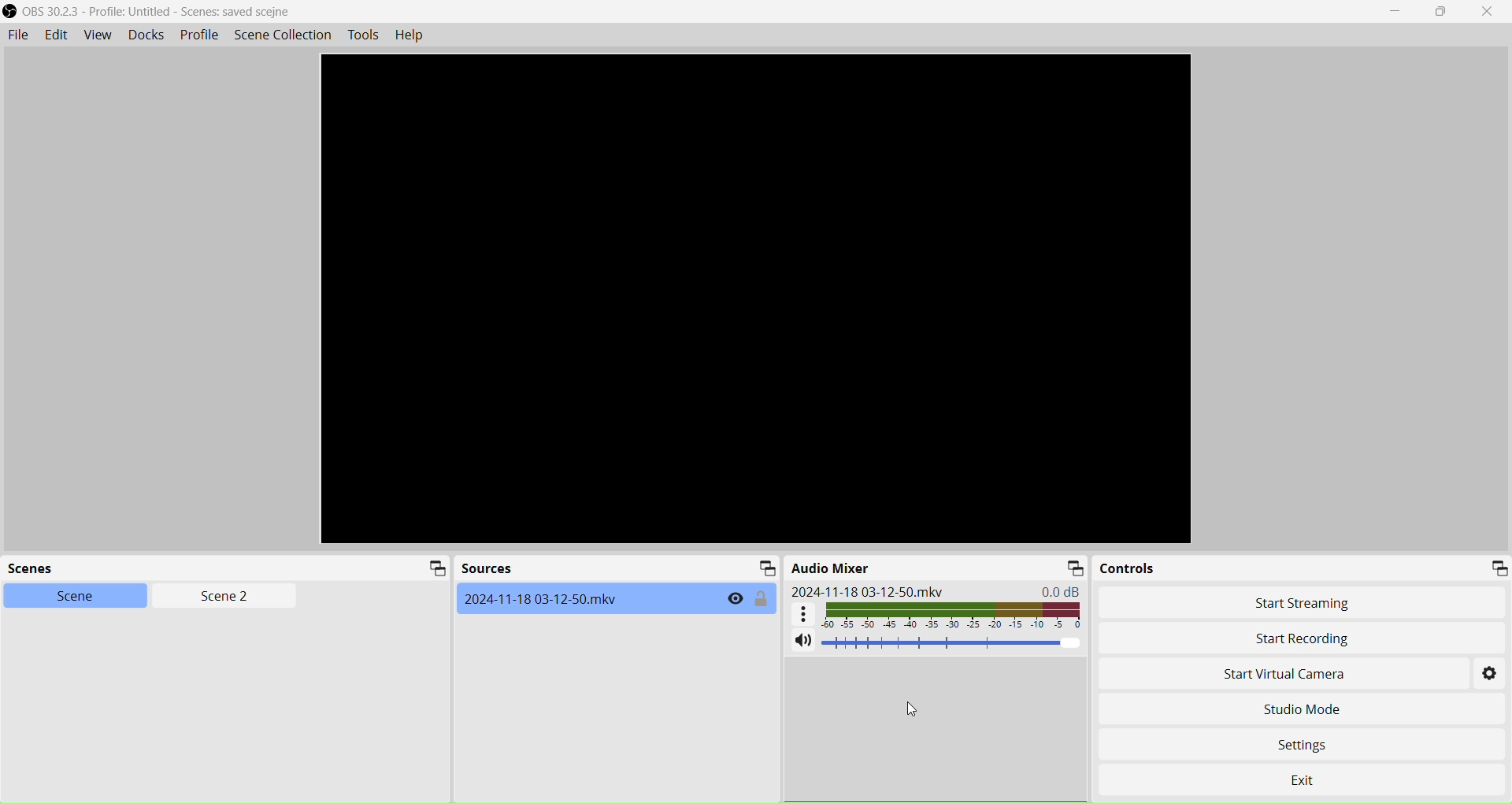 This screenshot has width=1512, height=803. I want to click on Sources, so click(487, 570).